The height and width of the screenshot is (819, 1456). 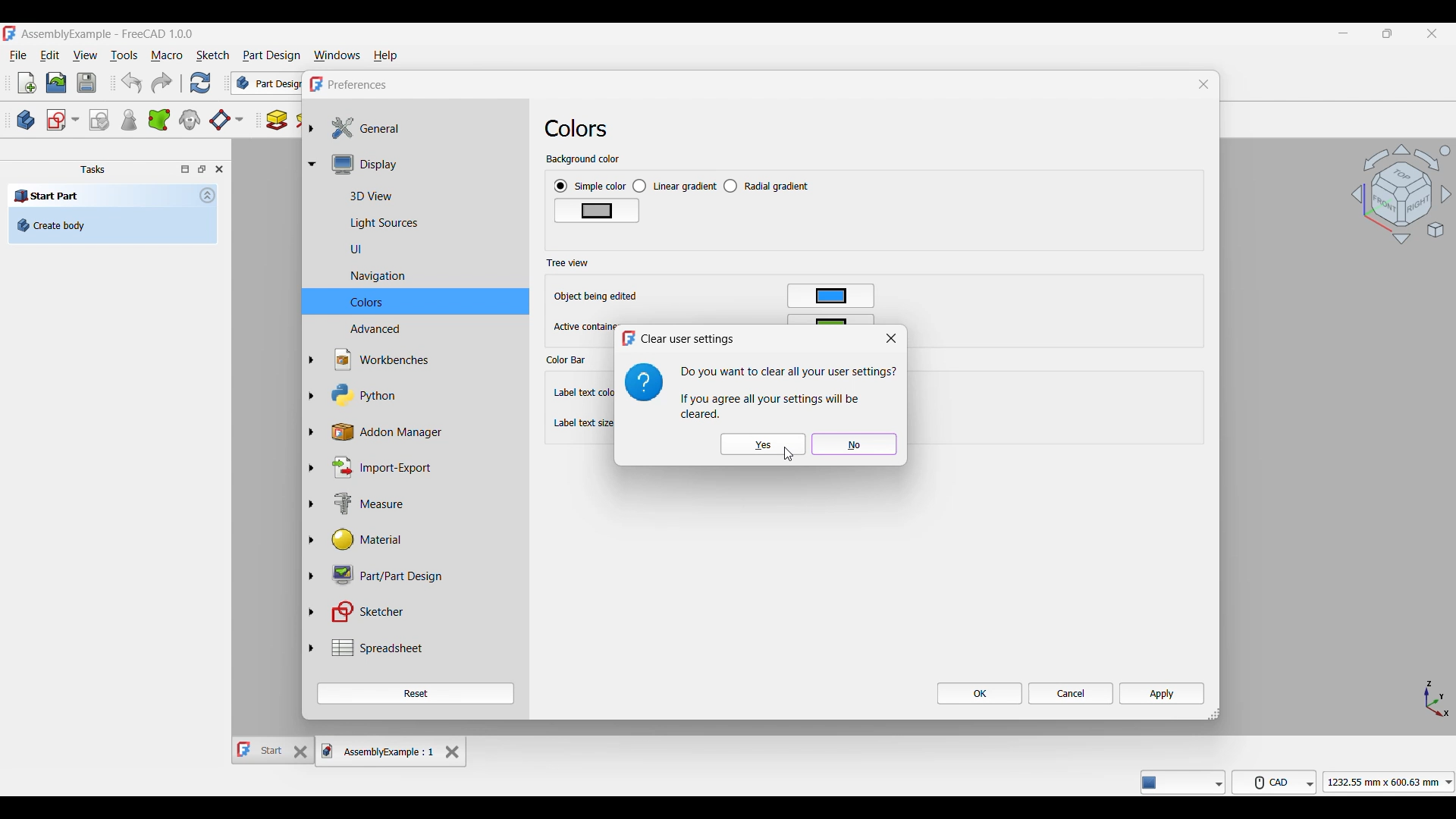 I want to click on Undo, so click(x=132, y=83).